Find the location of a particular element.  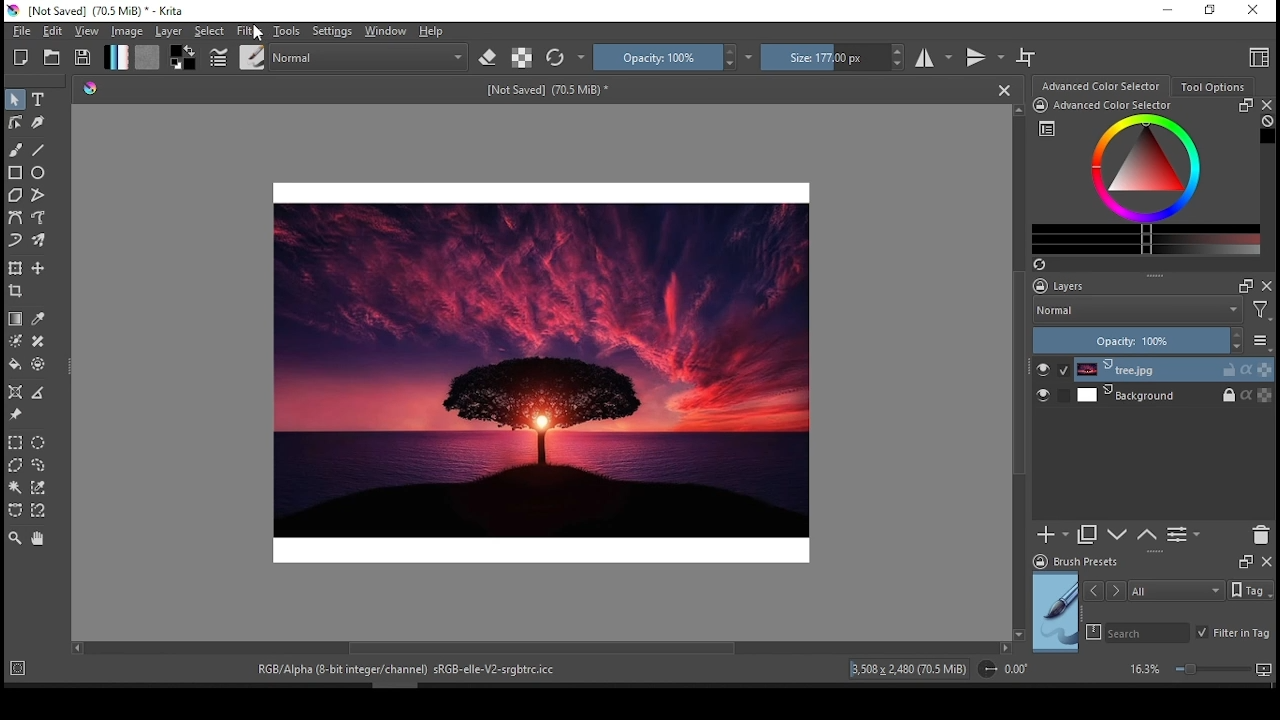

set eraser mode is located at coordinates (490, 57).